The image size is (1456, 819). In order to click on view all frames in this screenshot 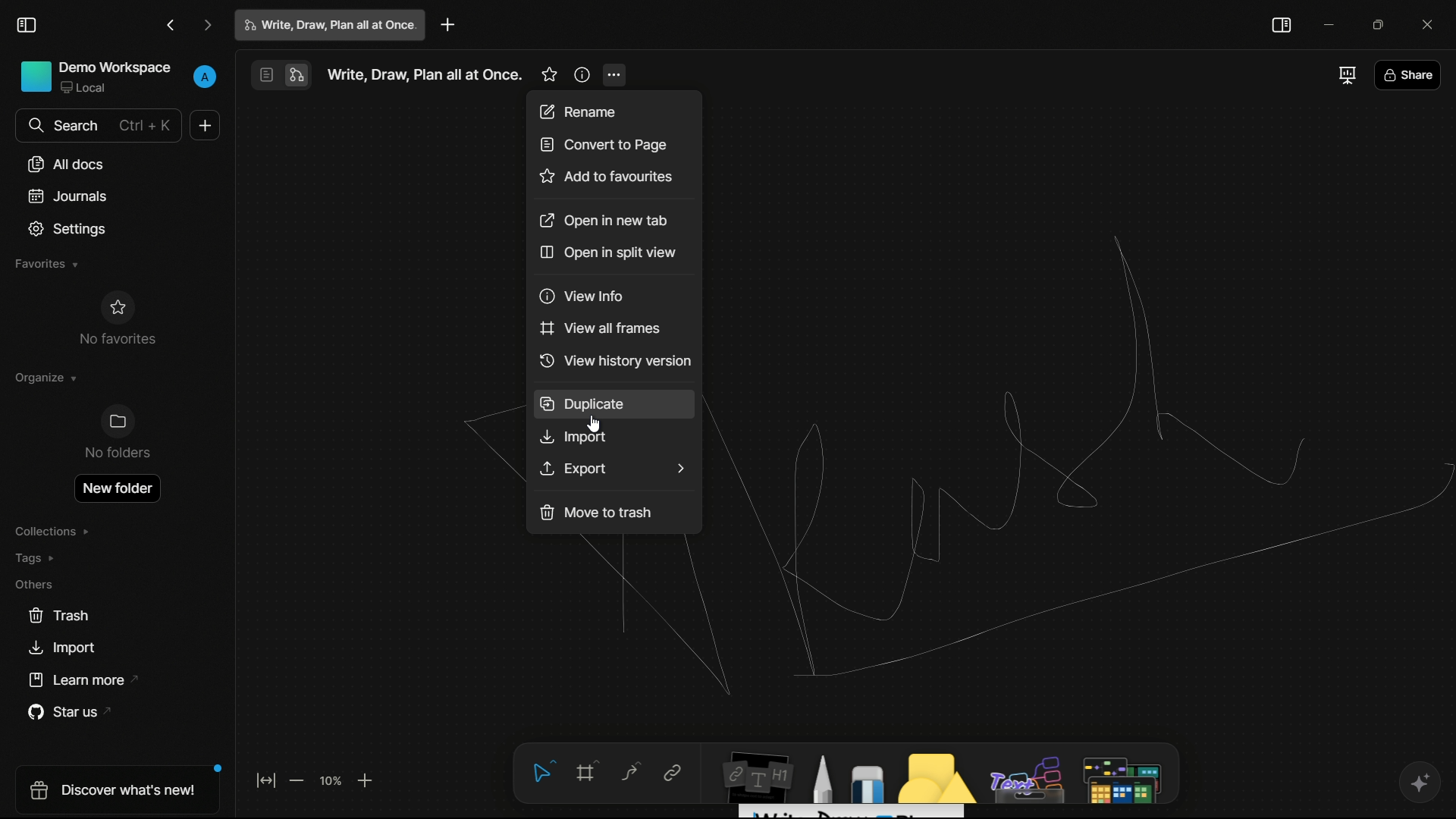, I will do `click(599, 328)`.